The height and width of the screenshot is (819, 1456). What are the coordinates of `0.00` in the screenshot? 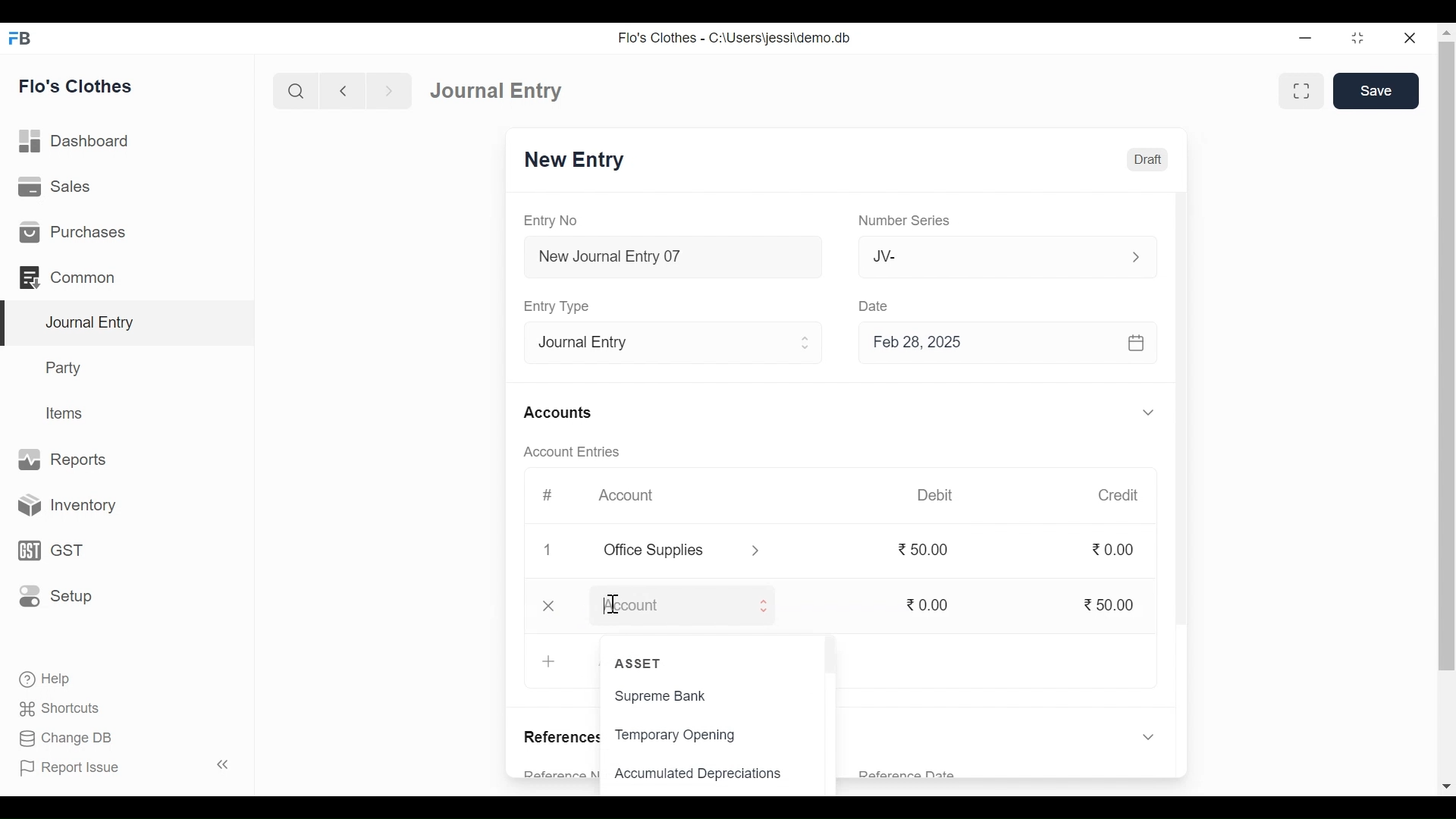 It's located at (1115, 551).